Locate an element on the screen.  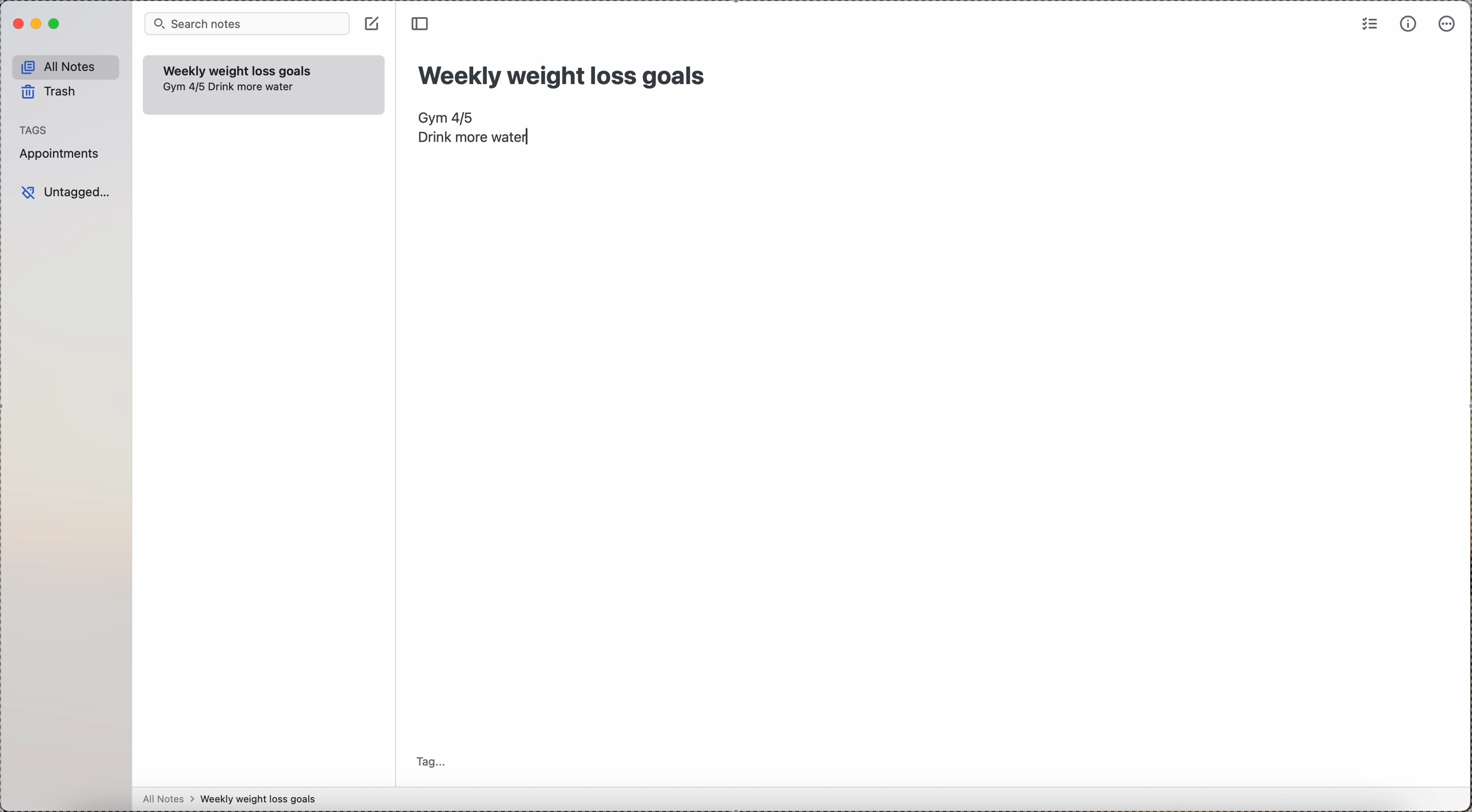
appointments is located at coordinates (62, 155).